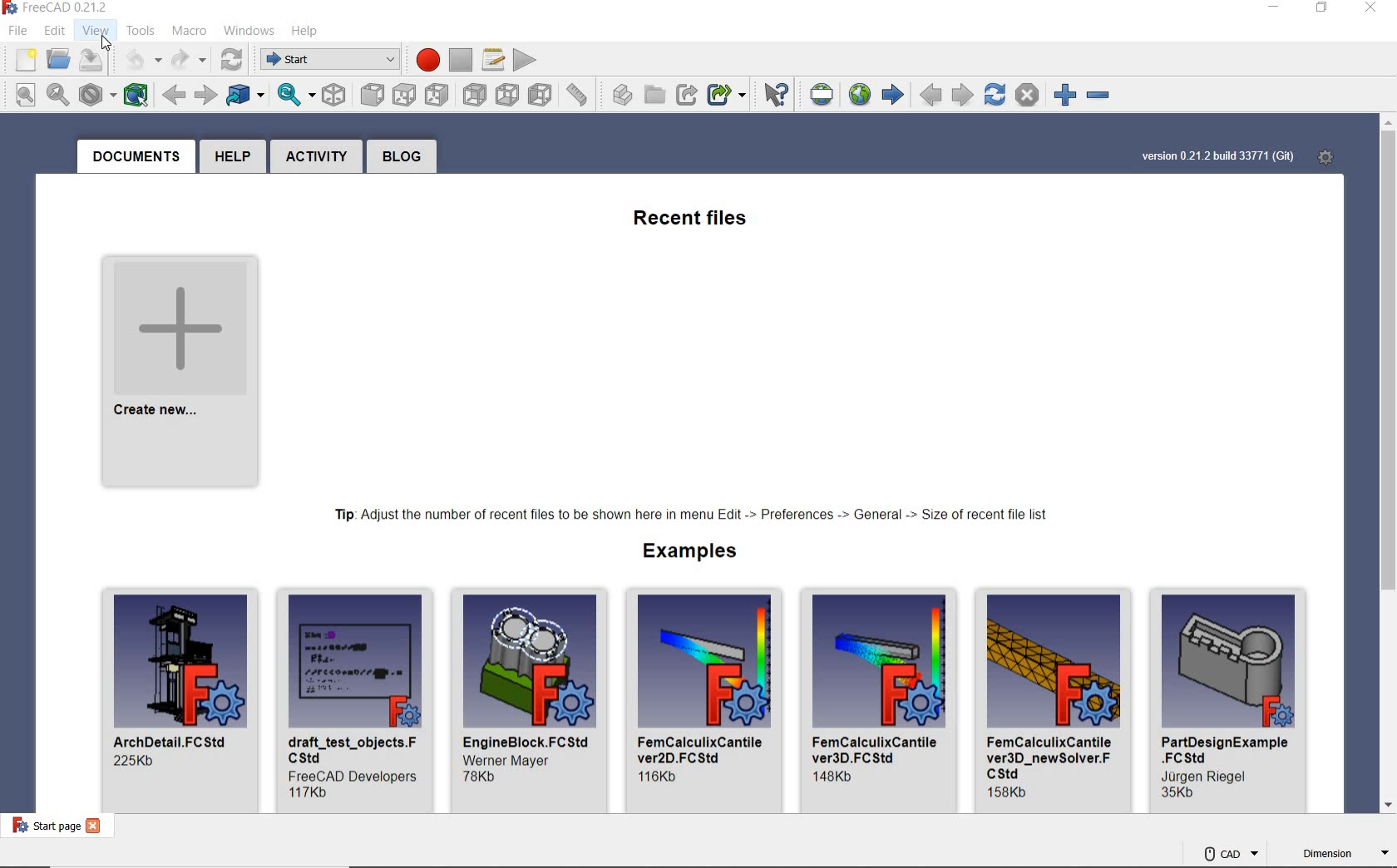 This screenshot has height=868, width=1397. Describe the element at coordinates (476, 96) in the screenshot. I see `rear` at that location.